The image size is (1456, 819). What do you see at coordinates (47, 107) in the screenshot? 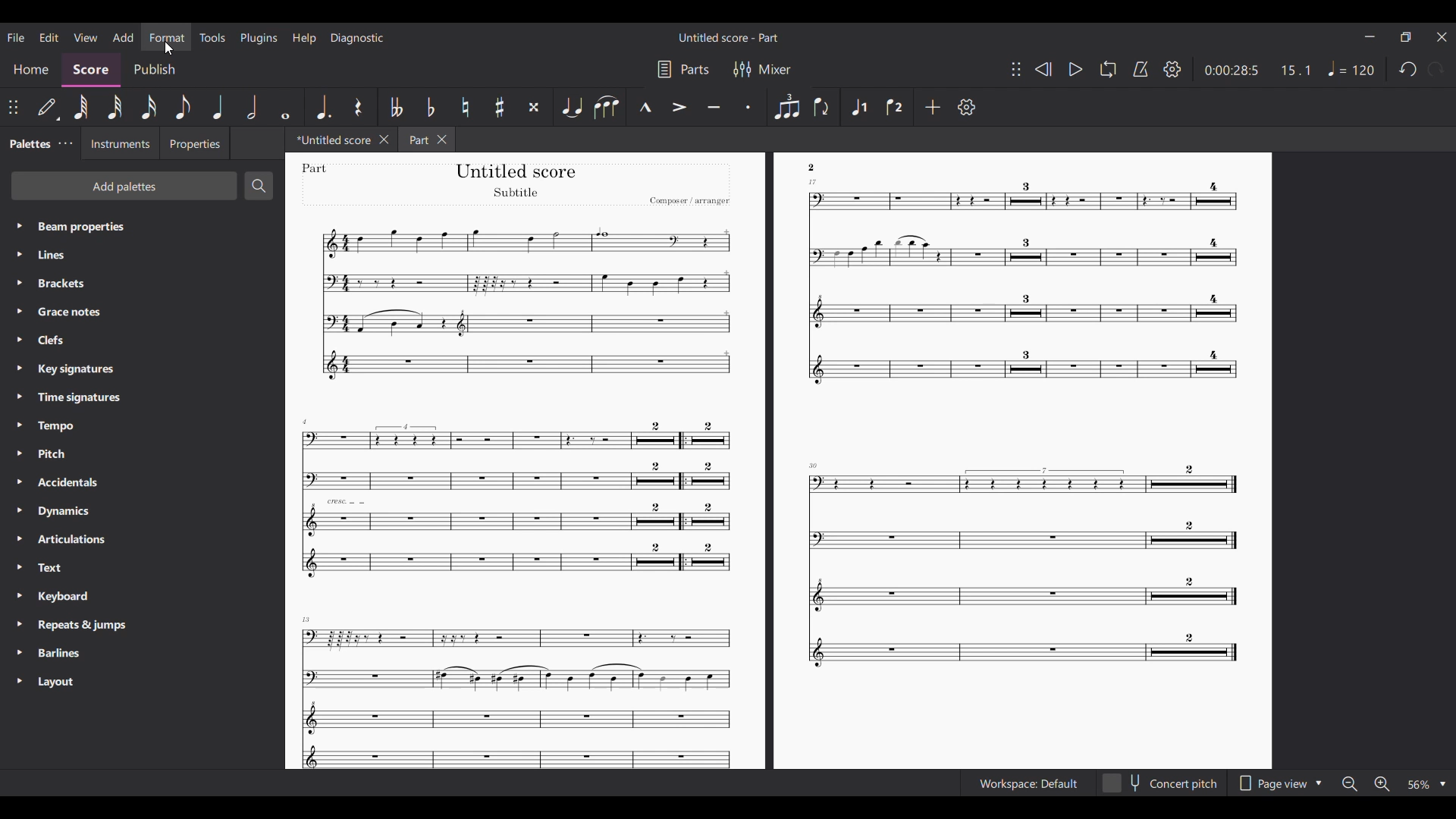
I see `Default` at bounding box center [47, 107].